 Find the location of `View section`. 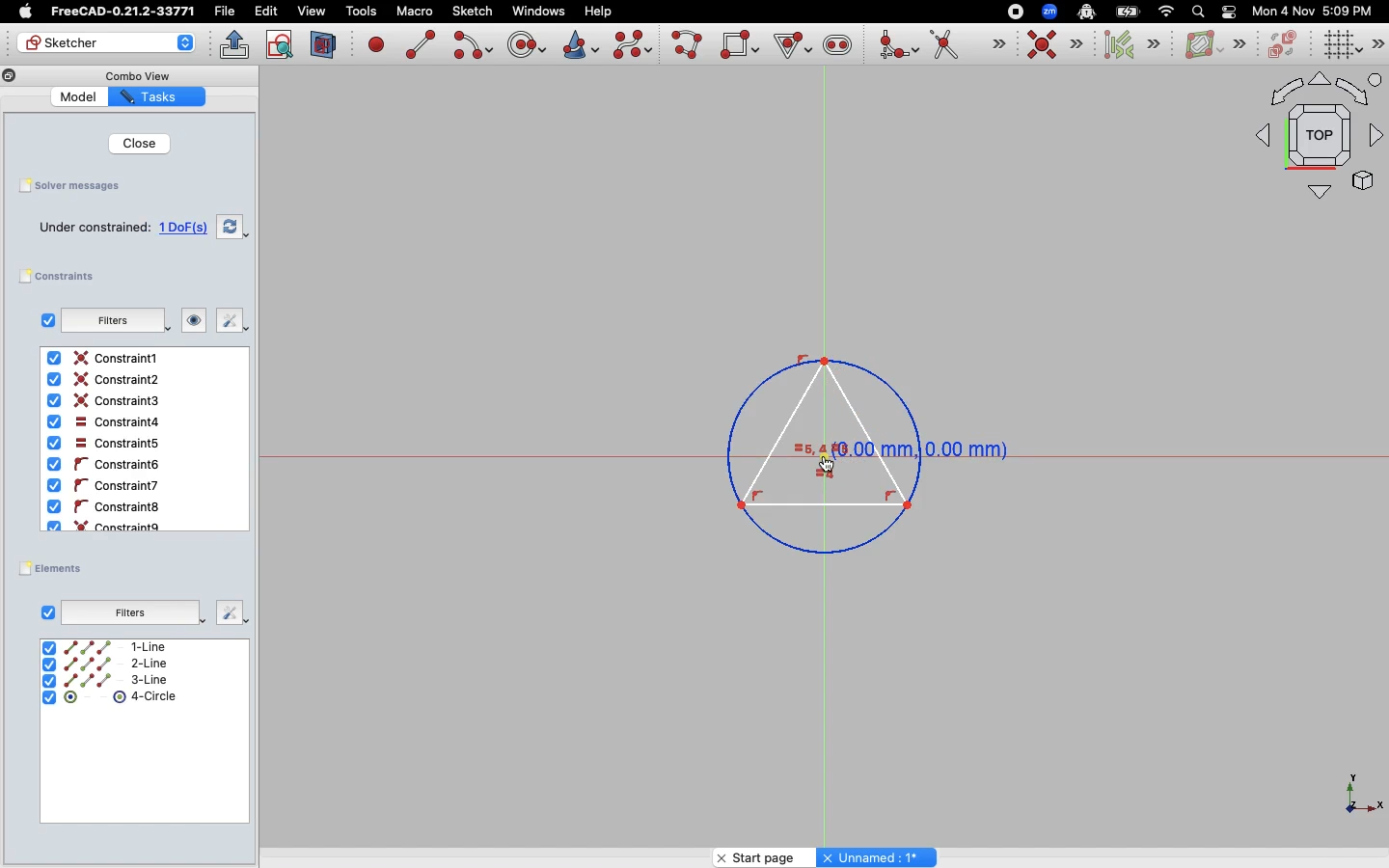

View section is located at coordinates (324, 44).